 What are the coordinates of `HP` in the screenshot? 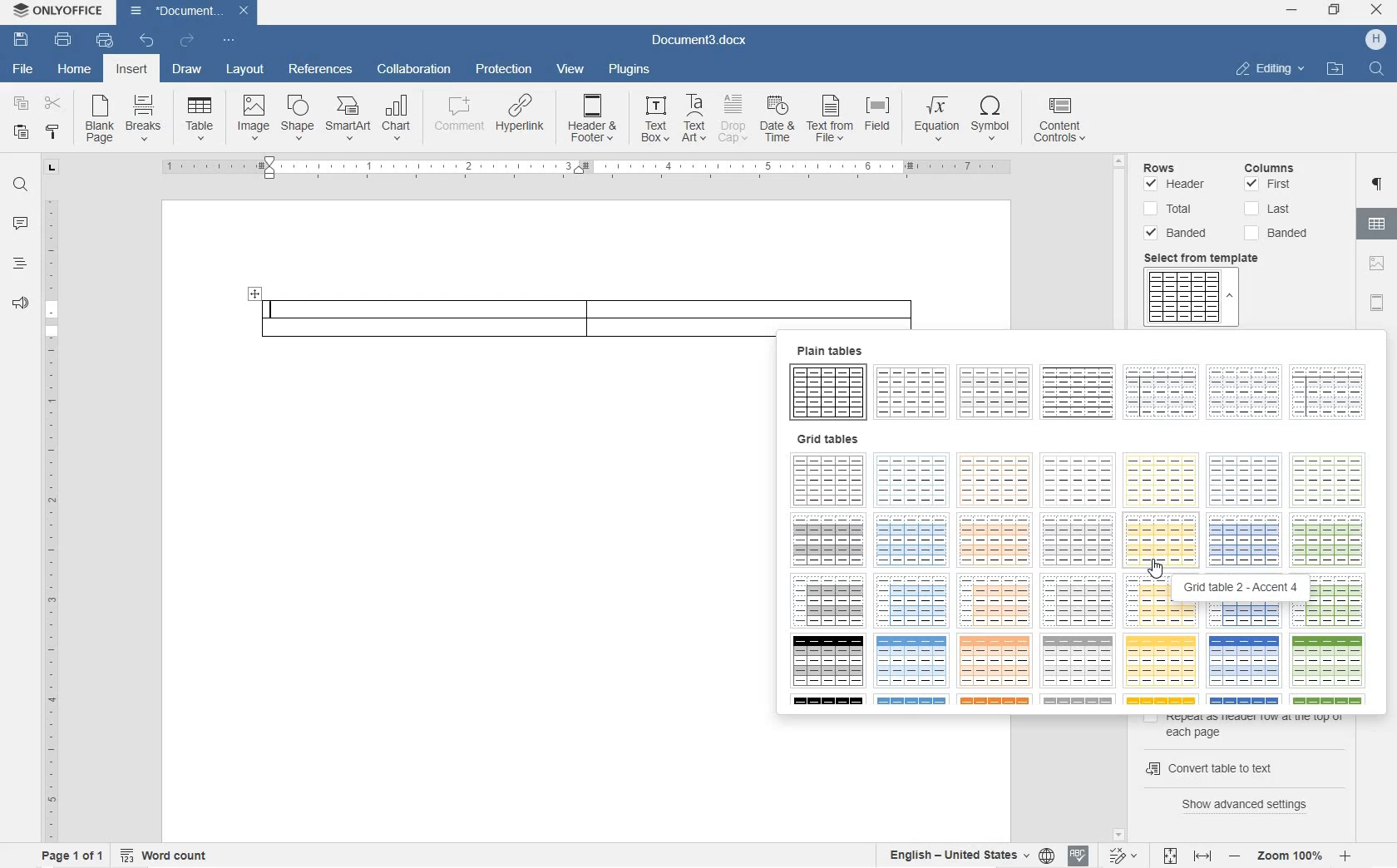 It's located at (1375, 40).